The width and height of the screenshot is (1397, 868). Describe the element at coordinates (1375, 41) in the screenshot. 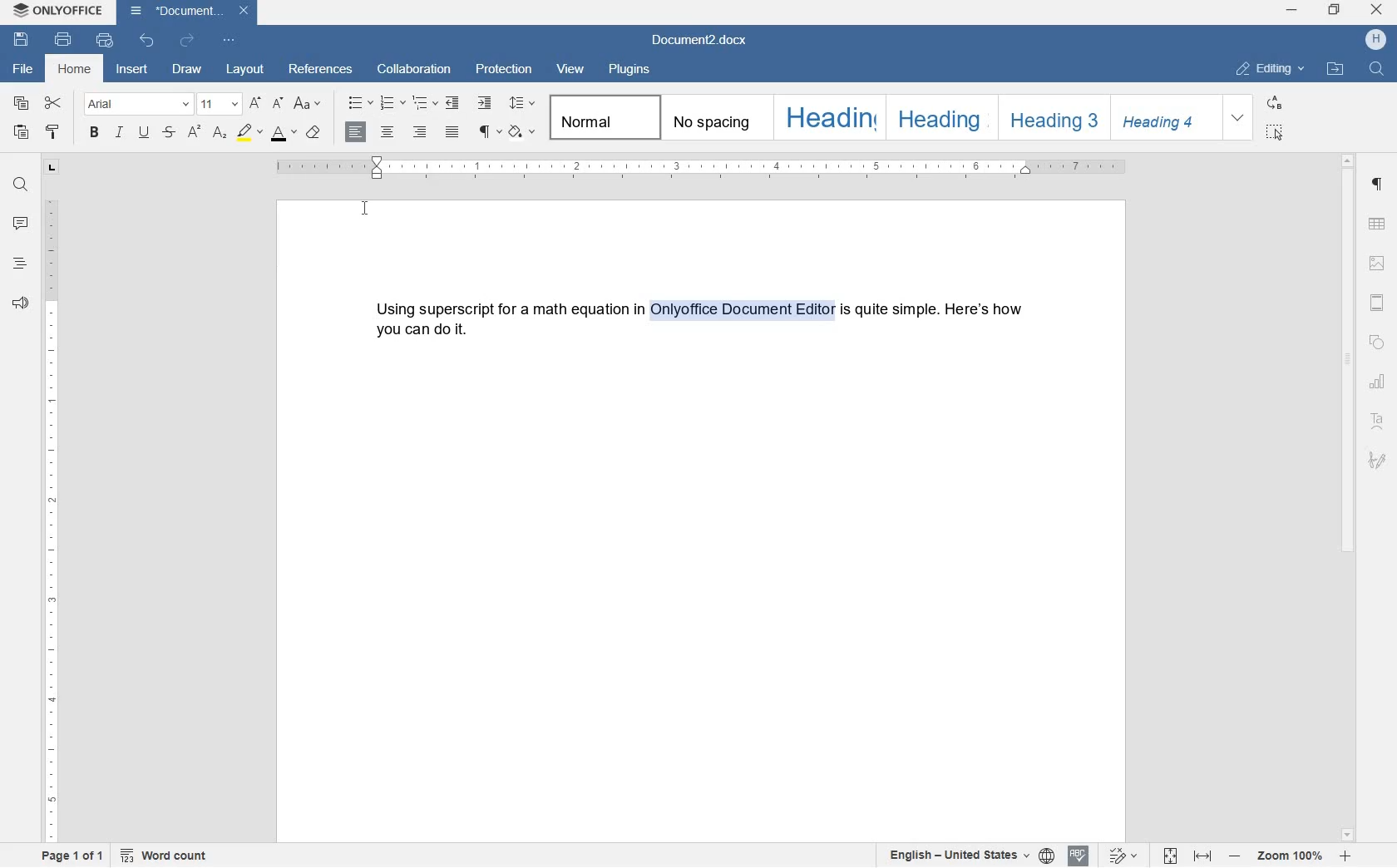

I see `HP` at that location.